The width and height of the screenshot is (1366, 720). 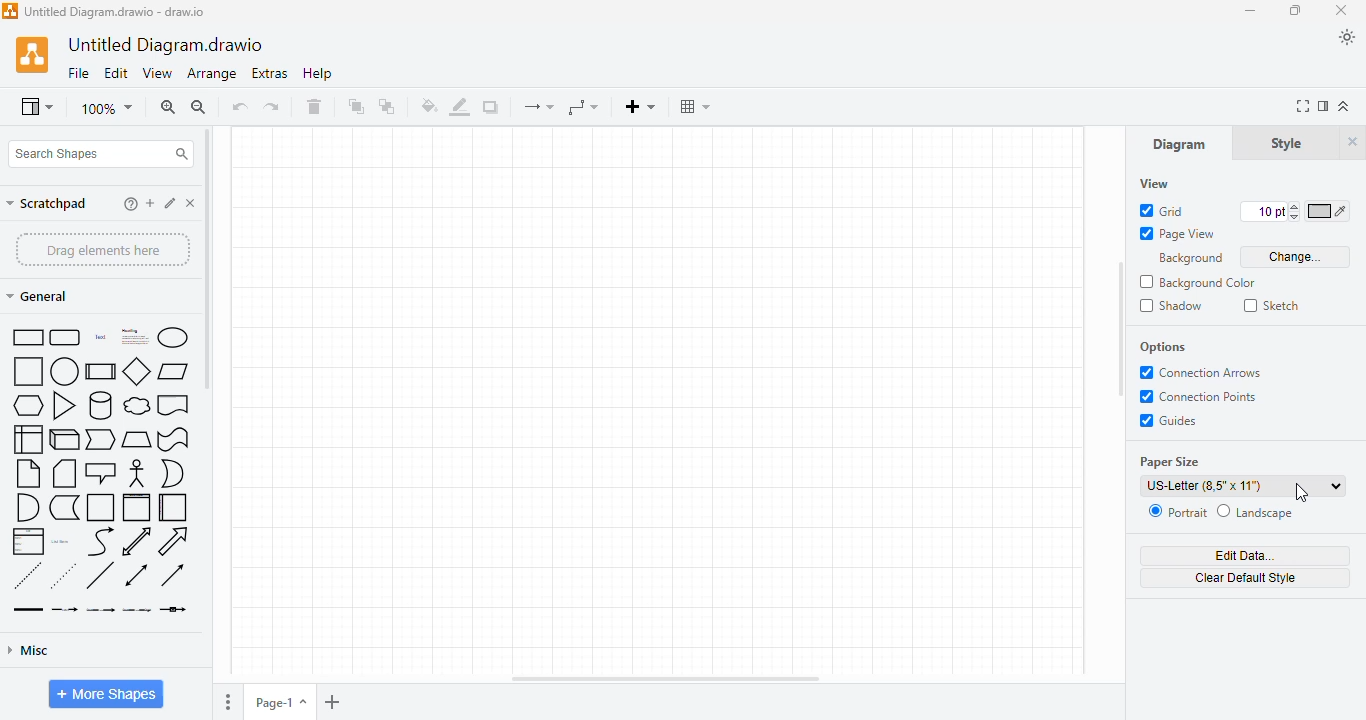 What do you see at coordinates (137, 406) in the screenshot?
I see `cloud` at bounding box center [137, 406].